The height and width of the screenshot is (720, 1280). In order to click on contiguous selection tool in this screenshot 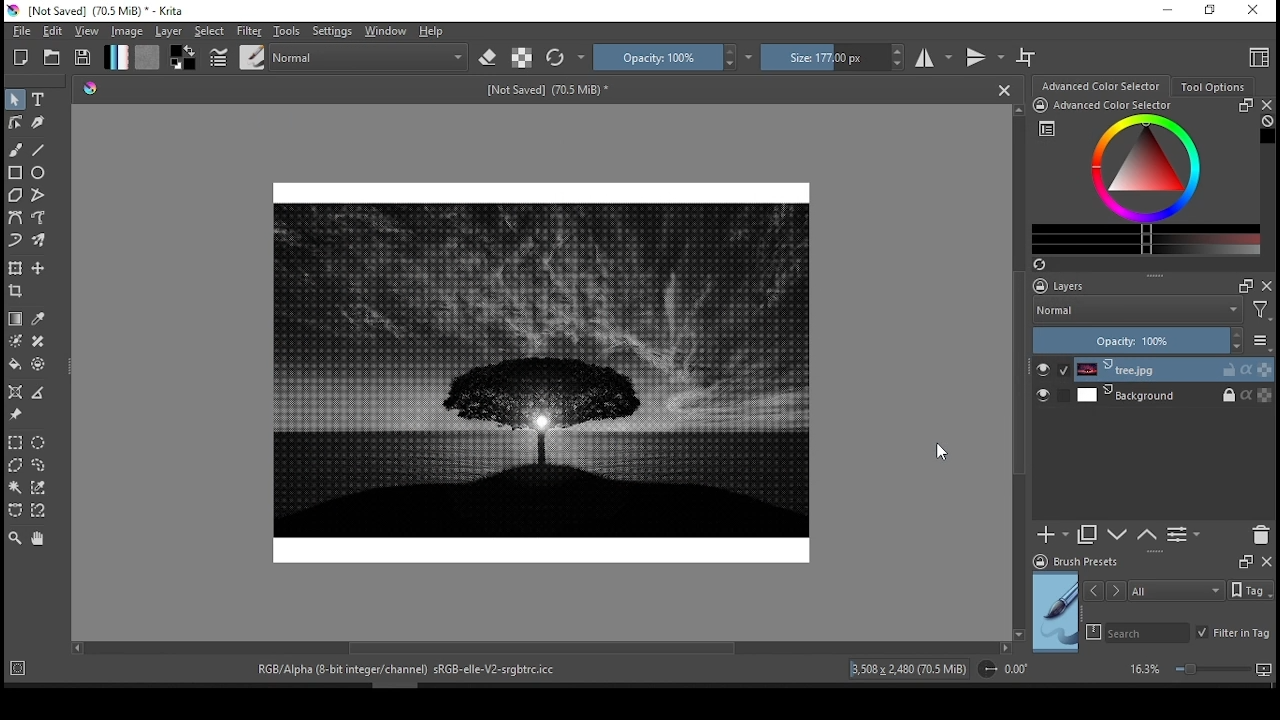, I will do `click(15, 487)`.